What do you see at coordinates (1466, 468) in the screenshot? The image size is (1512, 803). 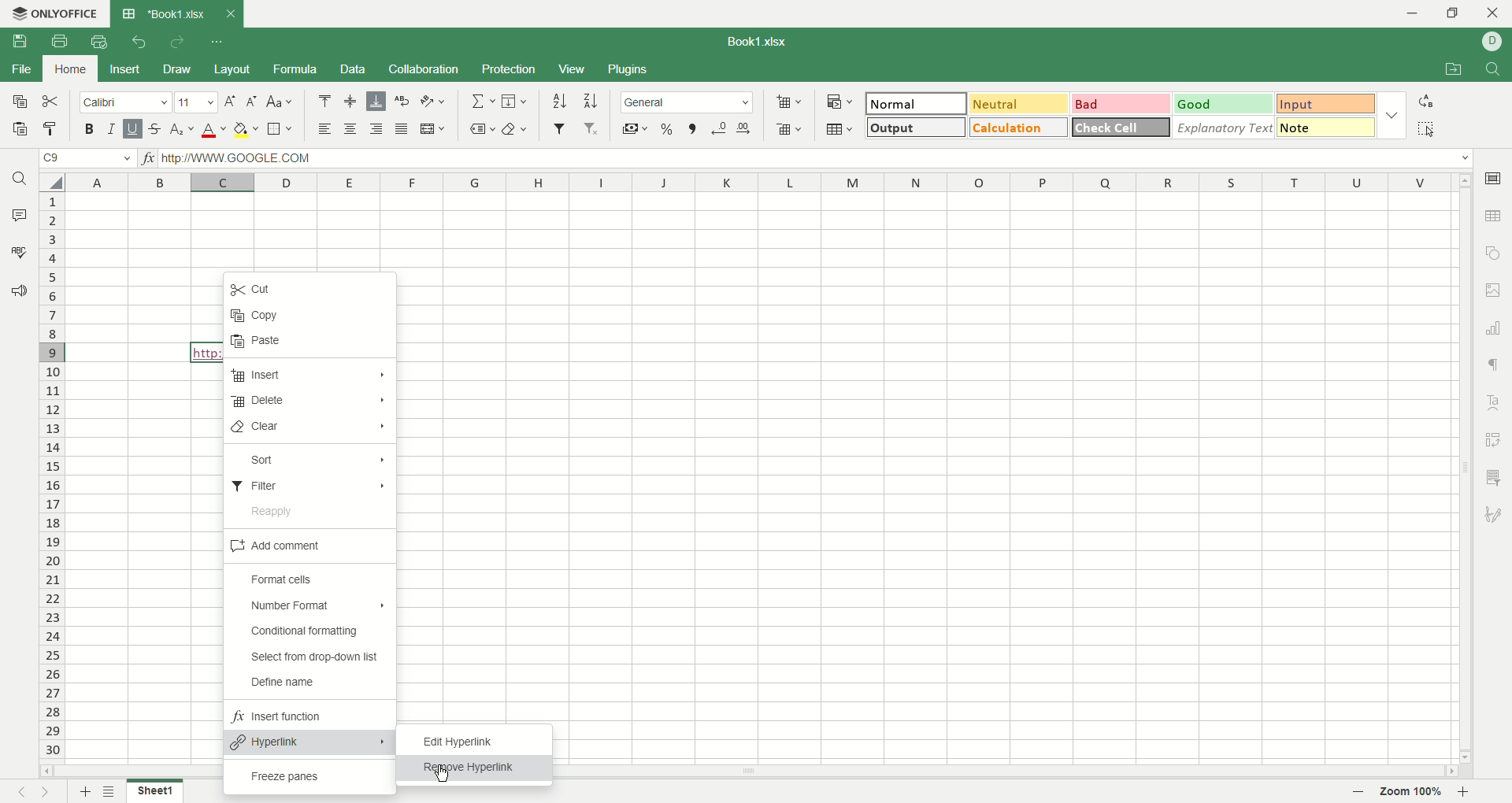 I see `vertical scroll bar` at bounding box center [1466, 468].